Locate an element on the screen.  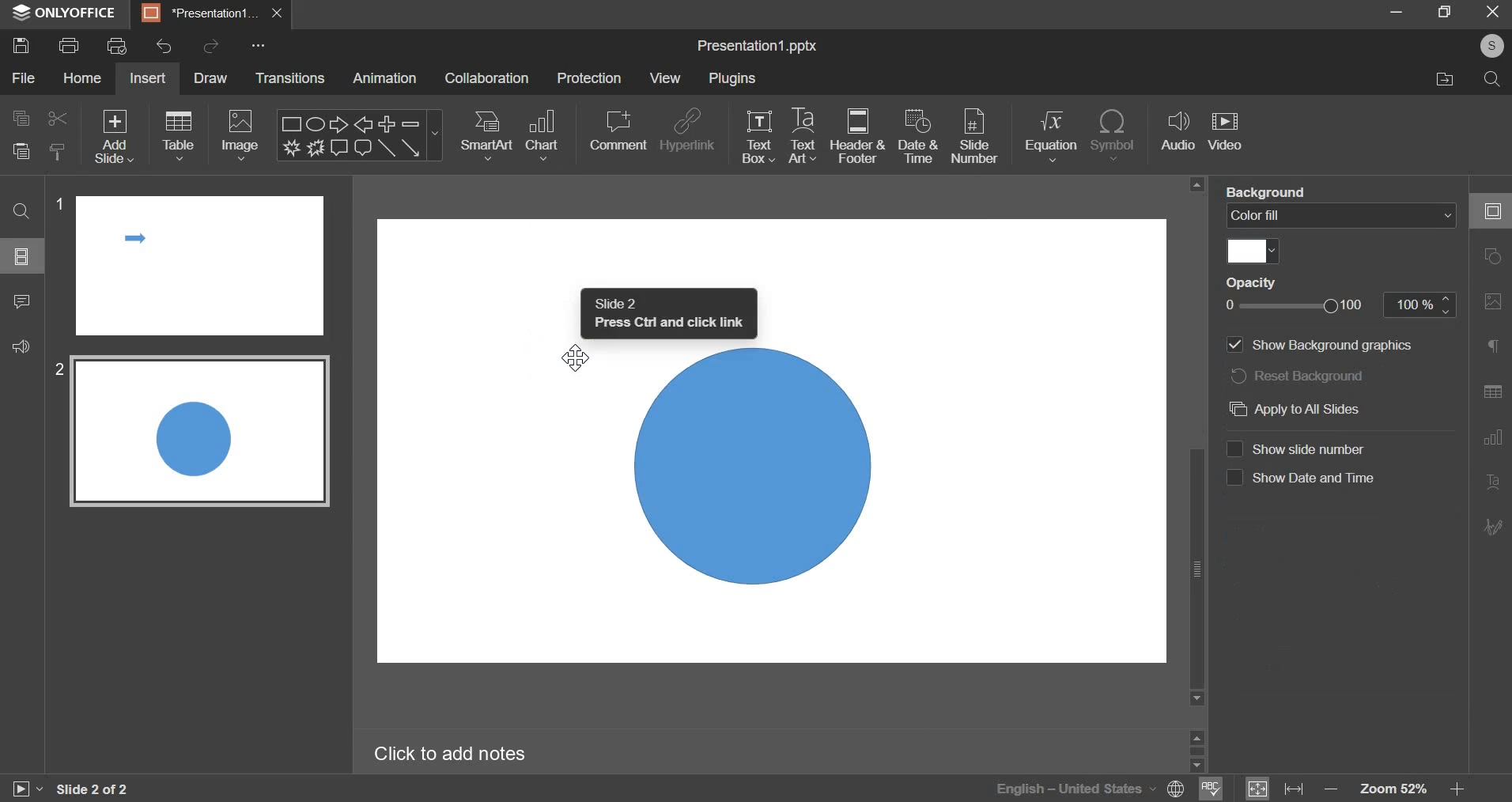
opacity is located at coordinates (1258, 282).